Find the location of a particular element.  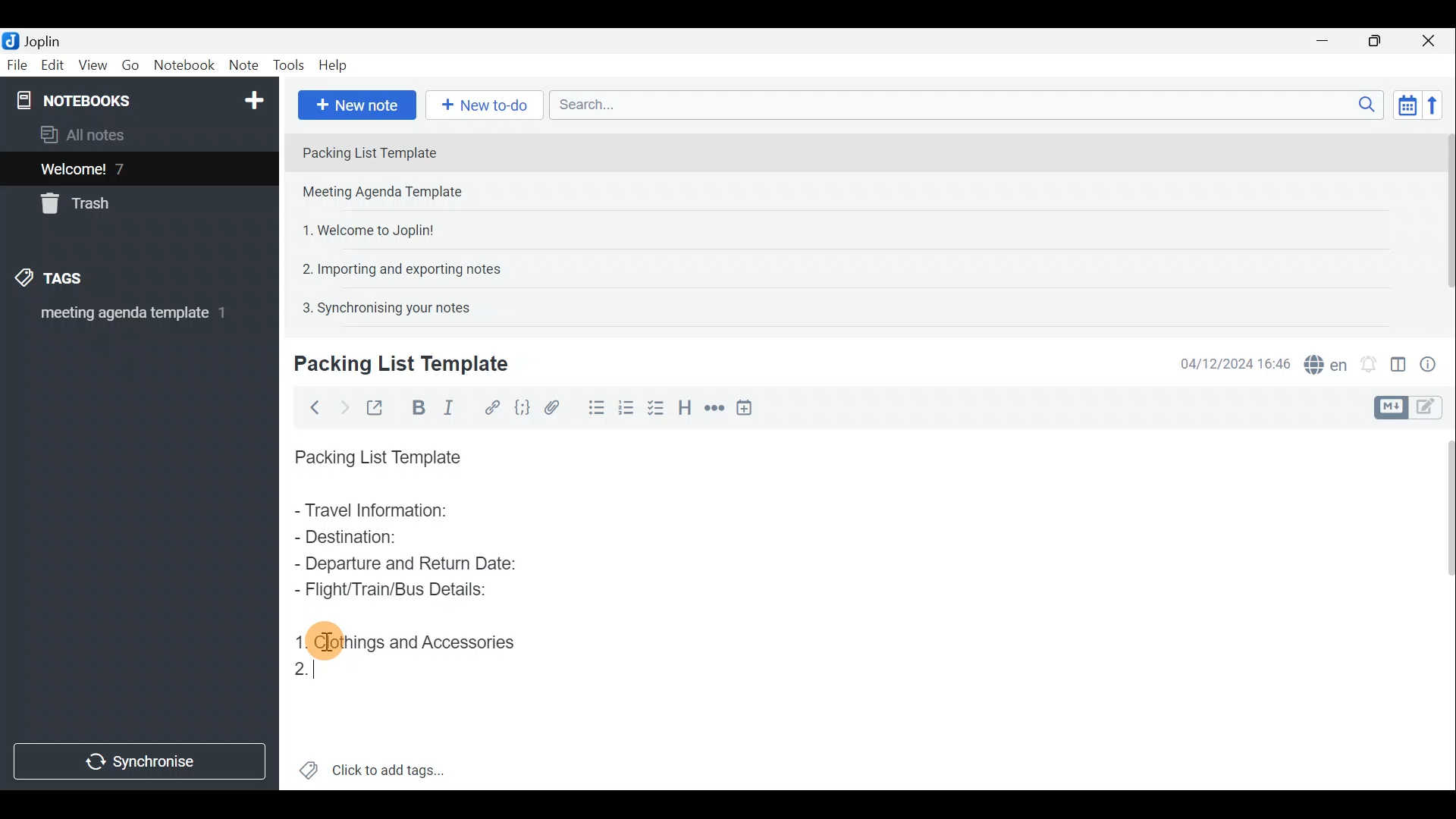

Note 5 is located at coordinates (380, 306).